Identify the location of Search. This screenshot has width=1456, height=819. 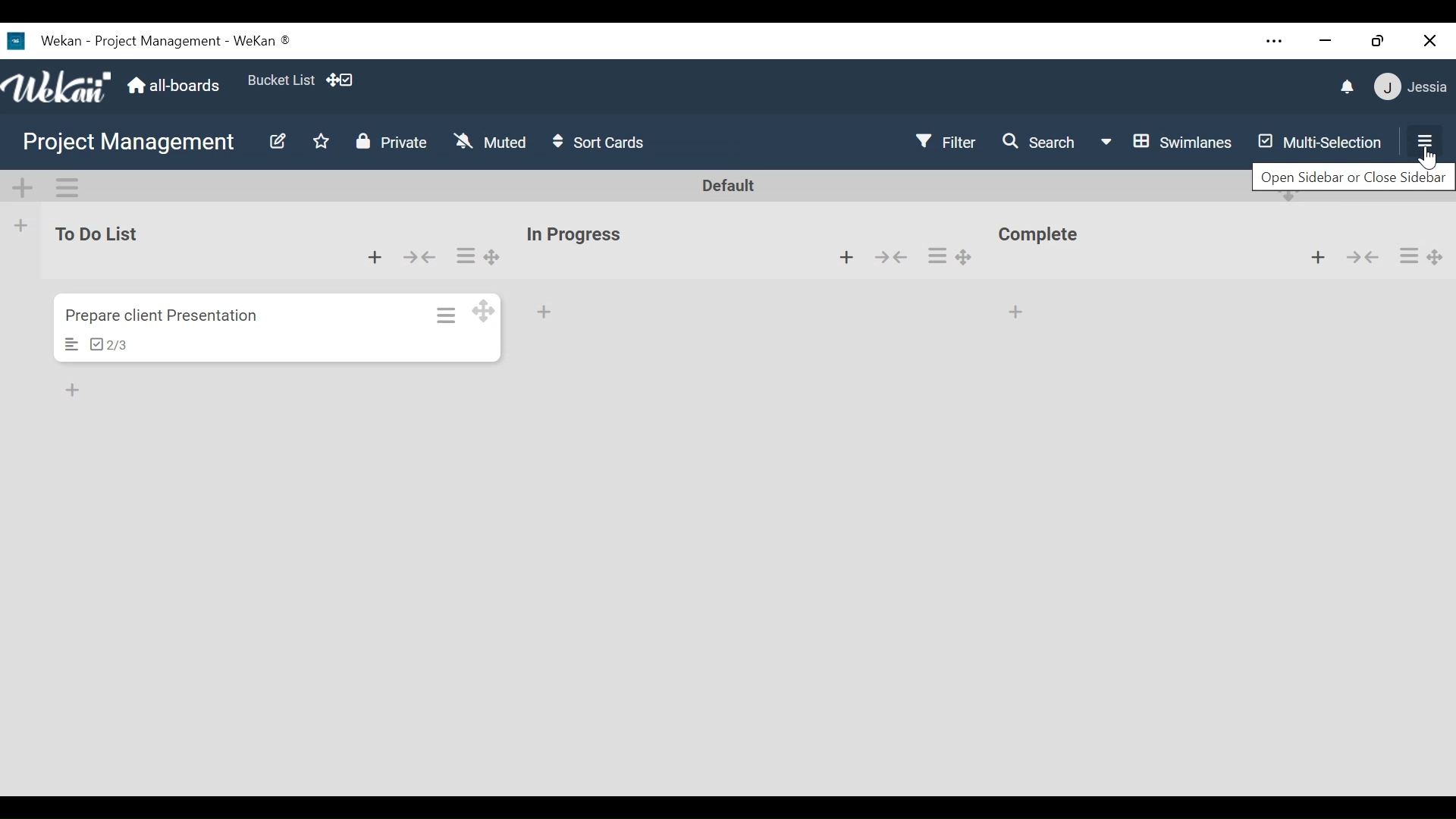
(1040, 144).